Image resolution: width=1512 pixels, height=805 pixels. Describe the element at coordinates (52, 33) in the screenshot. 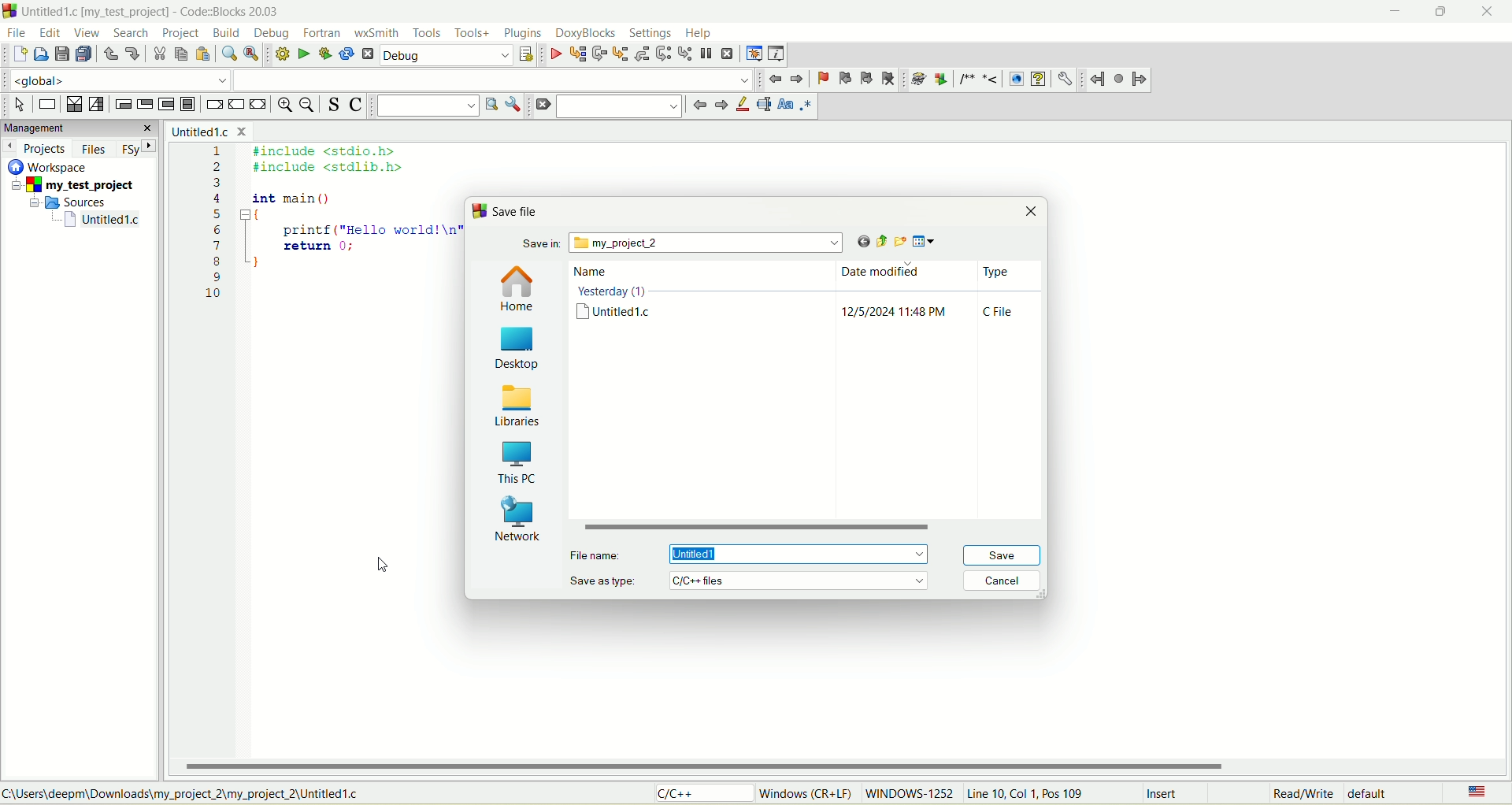

I see `edit` at that location.